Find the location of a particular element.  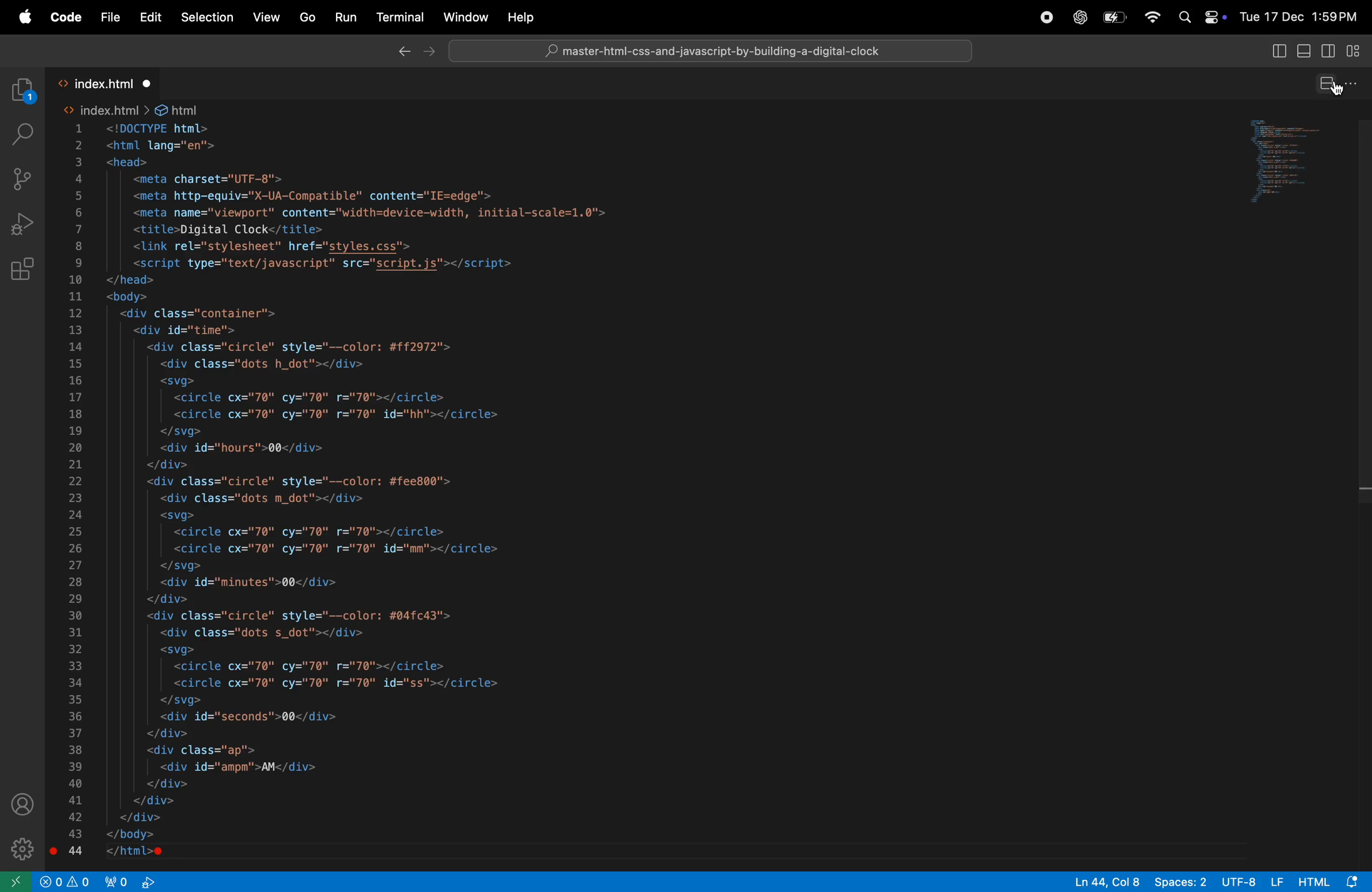

file is located at coordinates (110, 17).